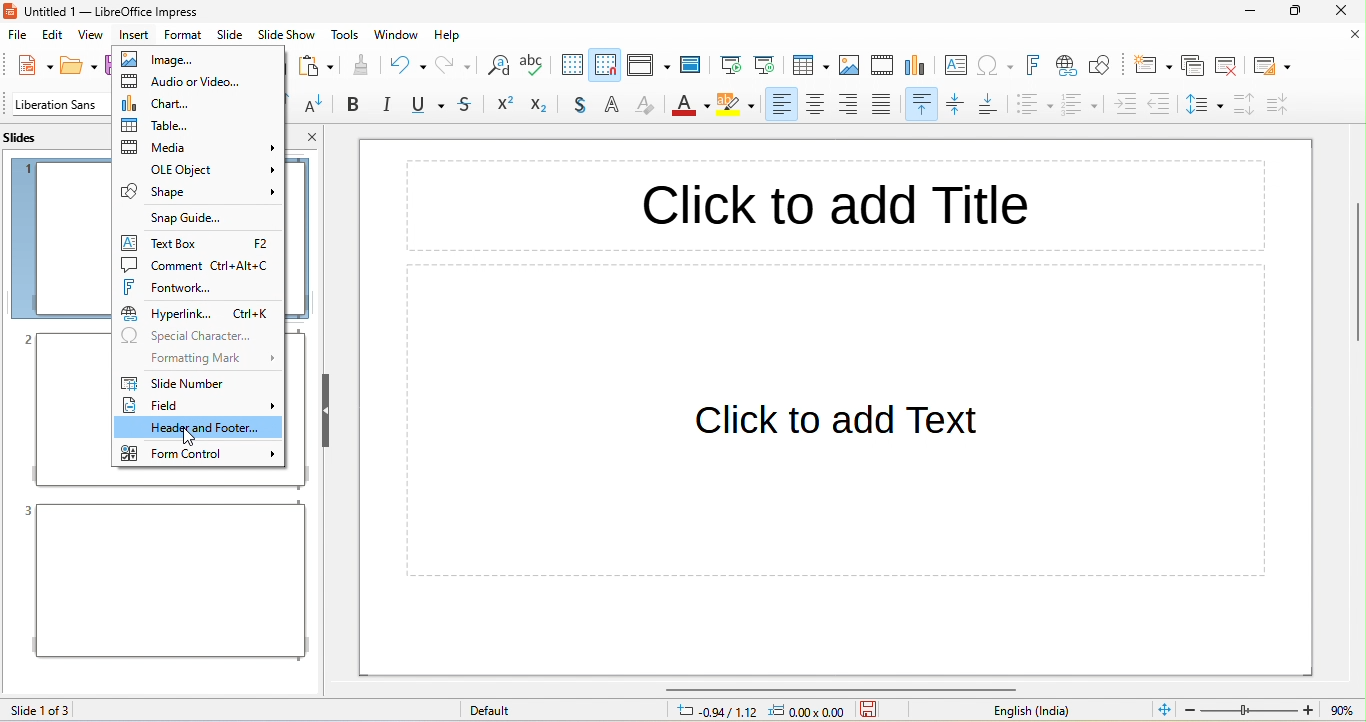 This screenshot has height=722, width=1366. Describe the element at coordinates (232, 34) in the screenshot. I see `slide` at that location.